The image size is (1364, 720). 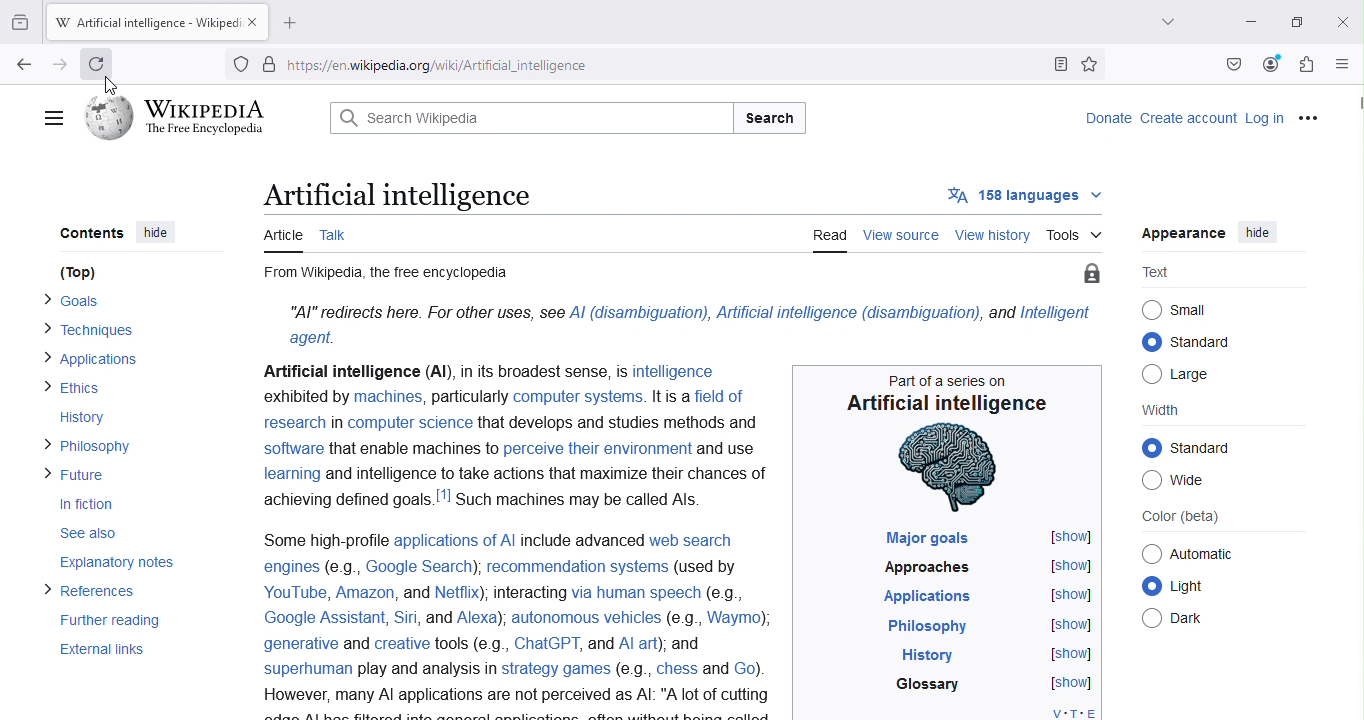 What do you see at coordinates (454, 64) in the screenshot?
I see `https//enwikipedia.org/wiki/Artificial_intelligence` at bounding box center [454, 64].